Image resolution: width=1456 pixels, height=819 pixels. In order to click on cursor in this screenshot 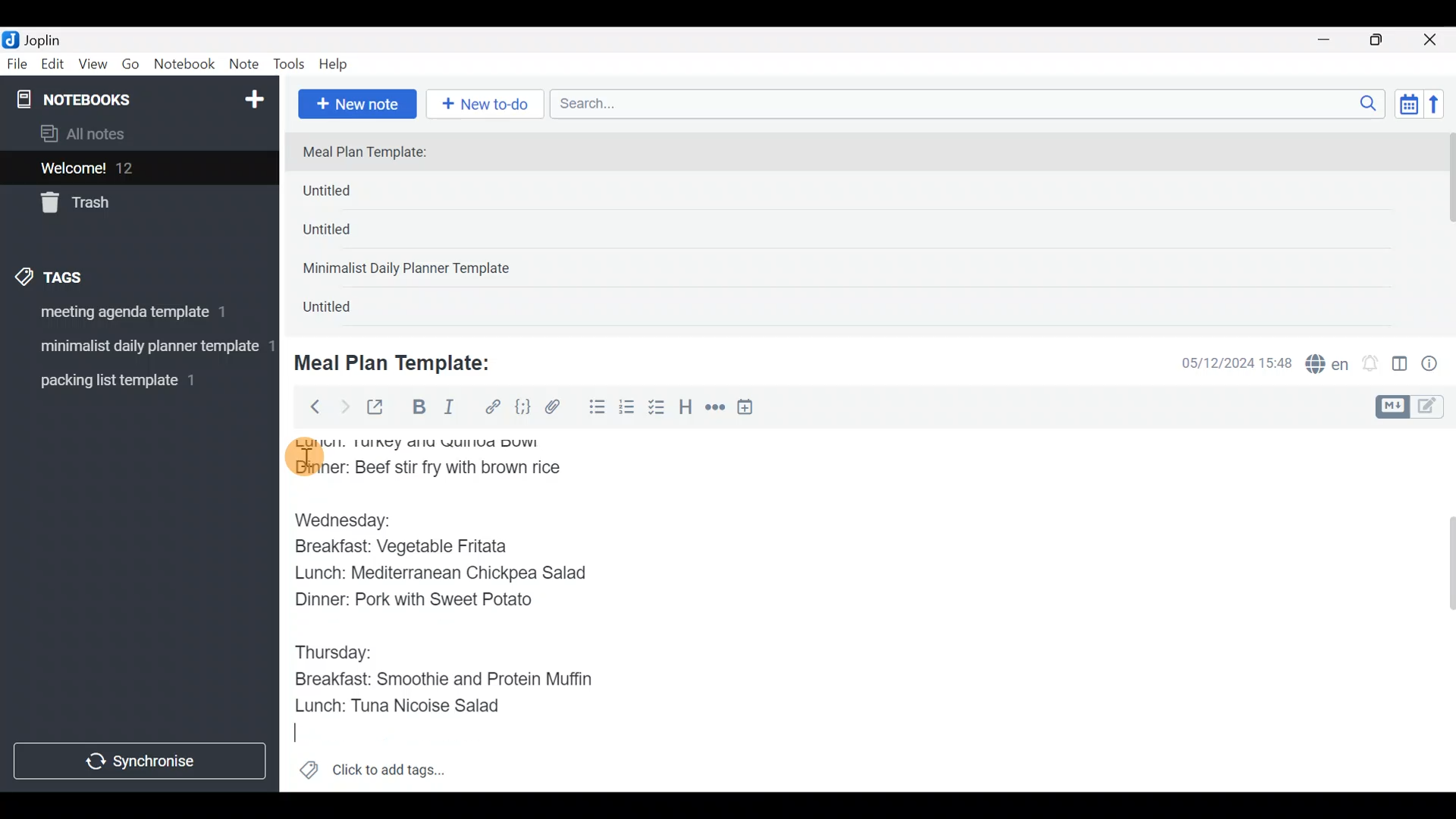, I will do `click(303, 457)`.